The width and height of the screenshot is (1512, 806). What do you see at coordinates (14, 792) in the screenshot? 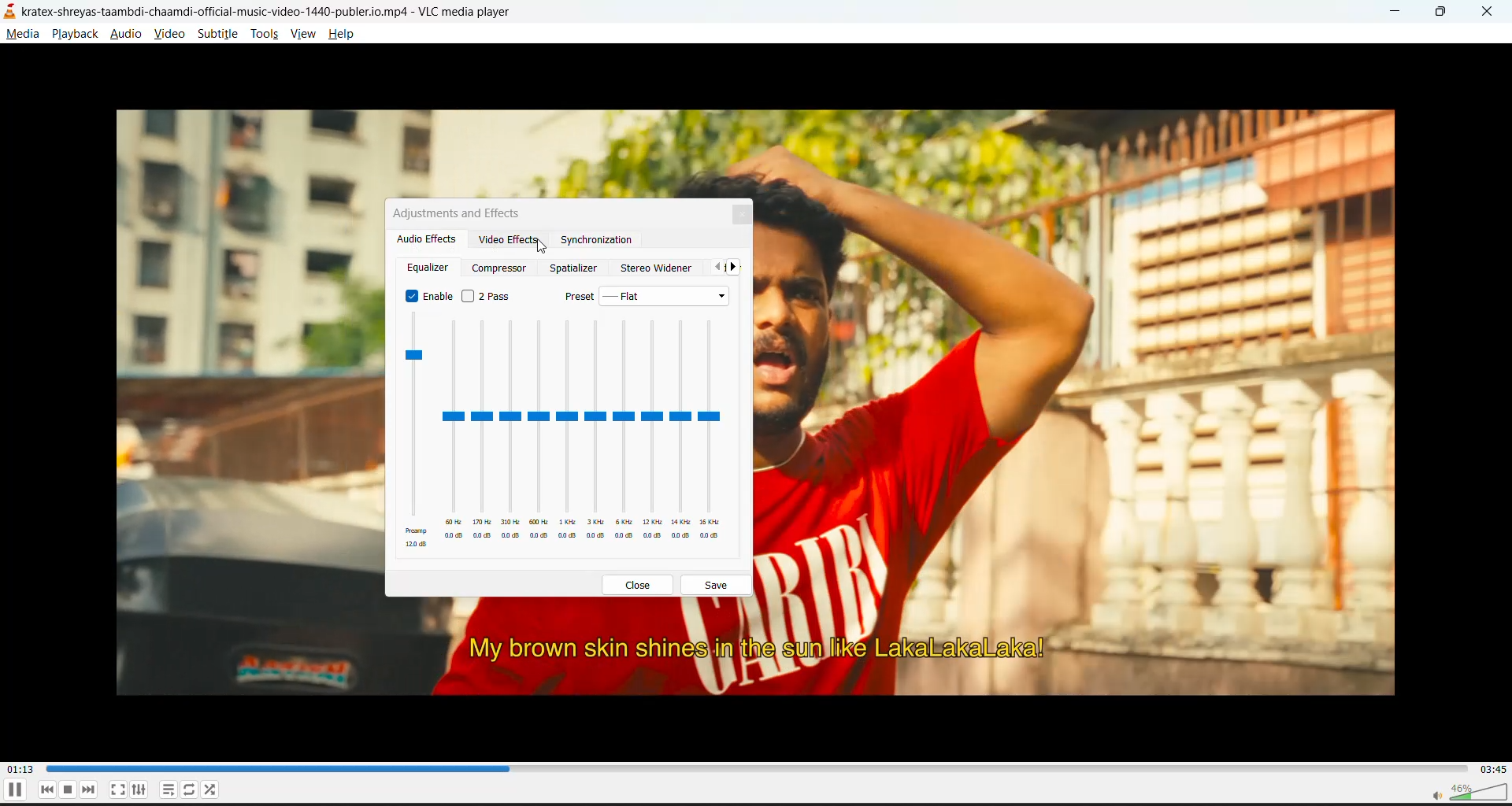
I see `pause` at bounding box center [14, 792].